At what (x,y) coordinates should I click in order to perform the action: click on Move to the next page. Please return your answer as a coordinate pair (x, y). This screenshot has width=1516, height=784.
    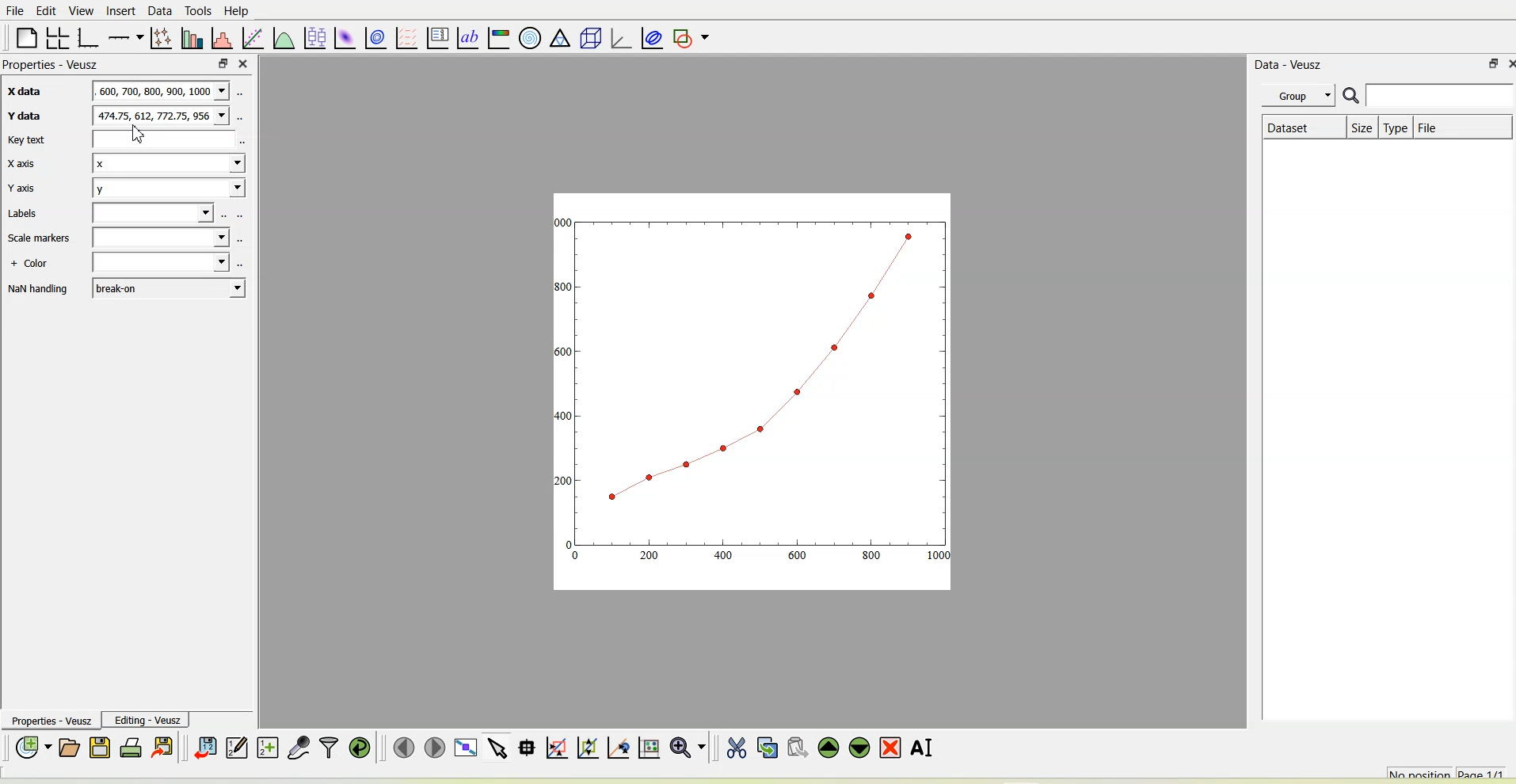
    Looking at the image, I should click on (435, 747).